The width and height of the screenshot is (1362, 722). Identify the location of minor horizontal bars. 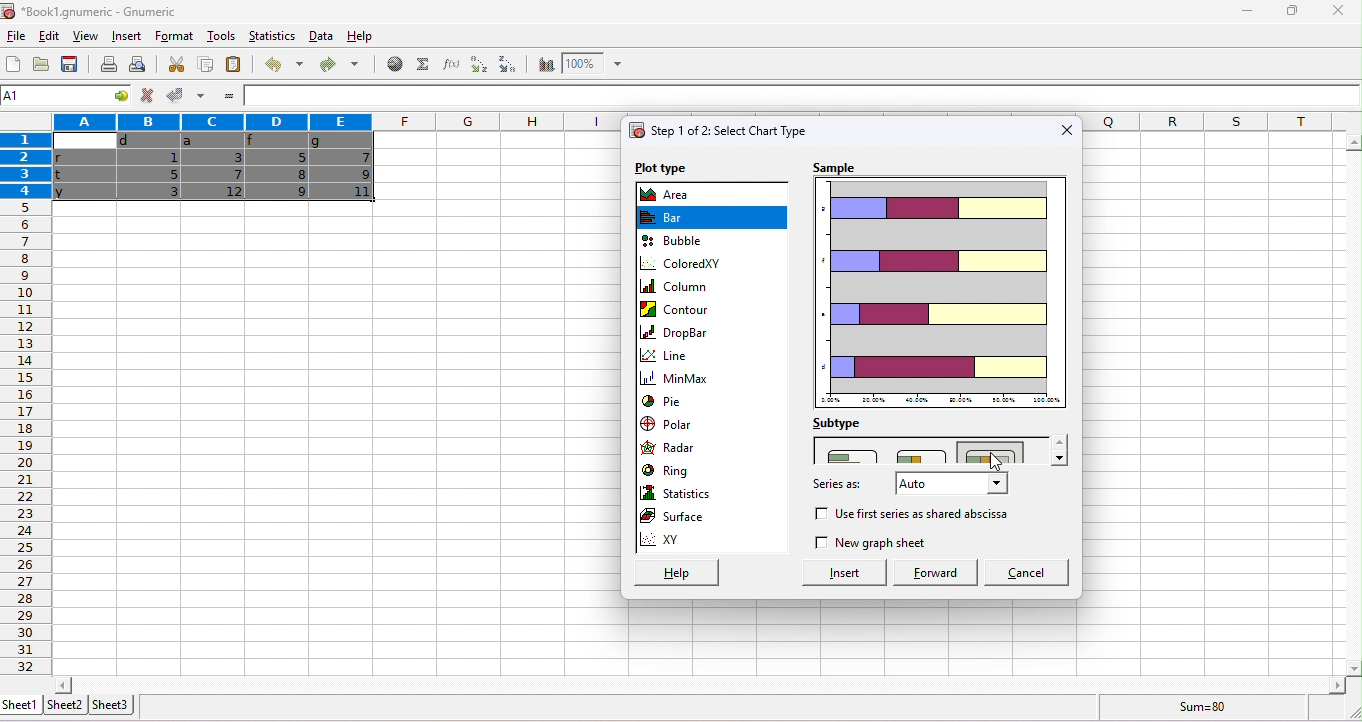
(918, 455).